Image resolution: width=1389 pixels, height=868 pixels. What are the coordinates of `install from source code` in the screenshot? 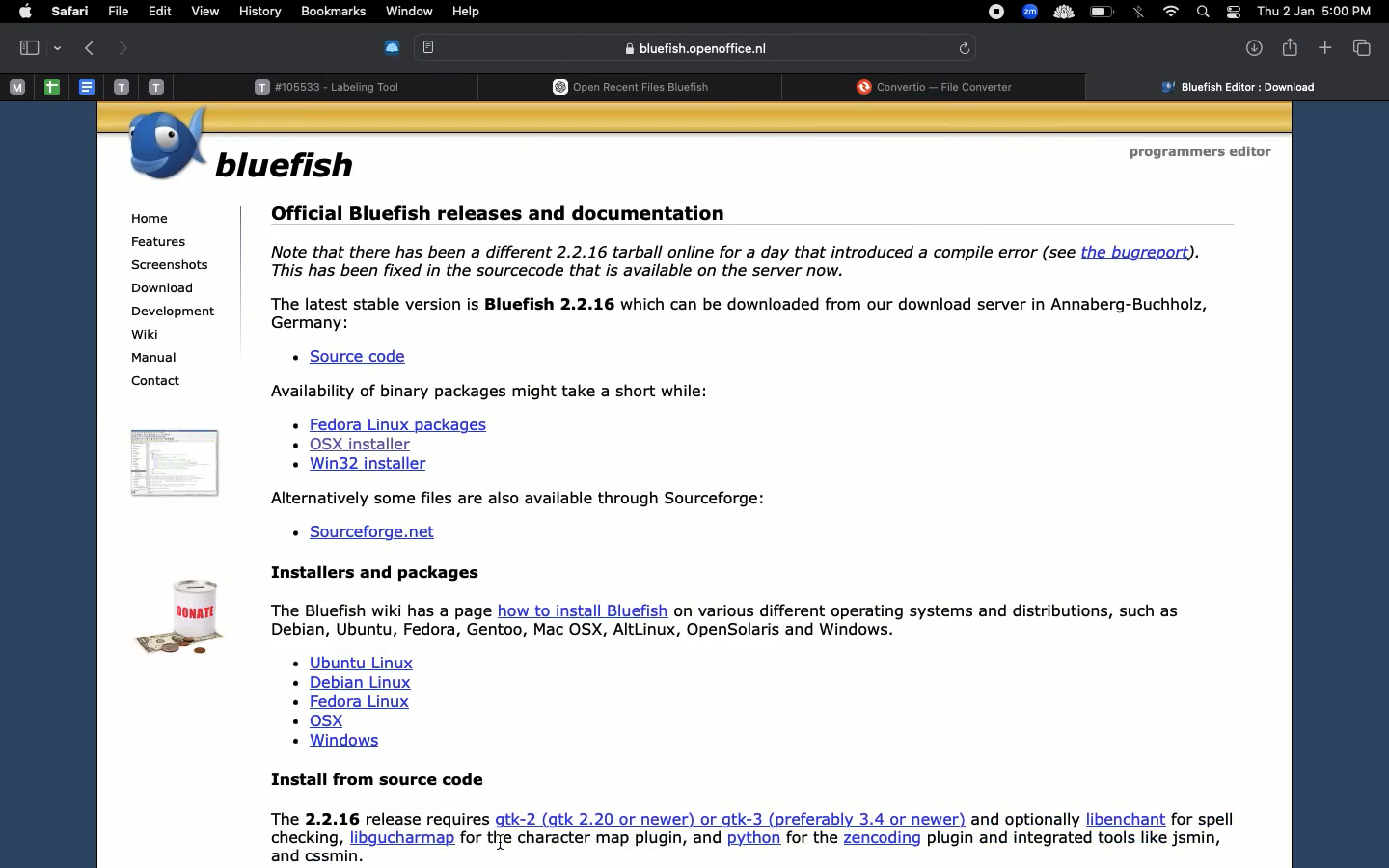 It's located at (764, 816).